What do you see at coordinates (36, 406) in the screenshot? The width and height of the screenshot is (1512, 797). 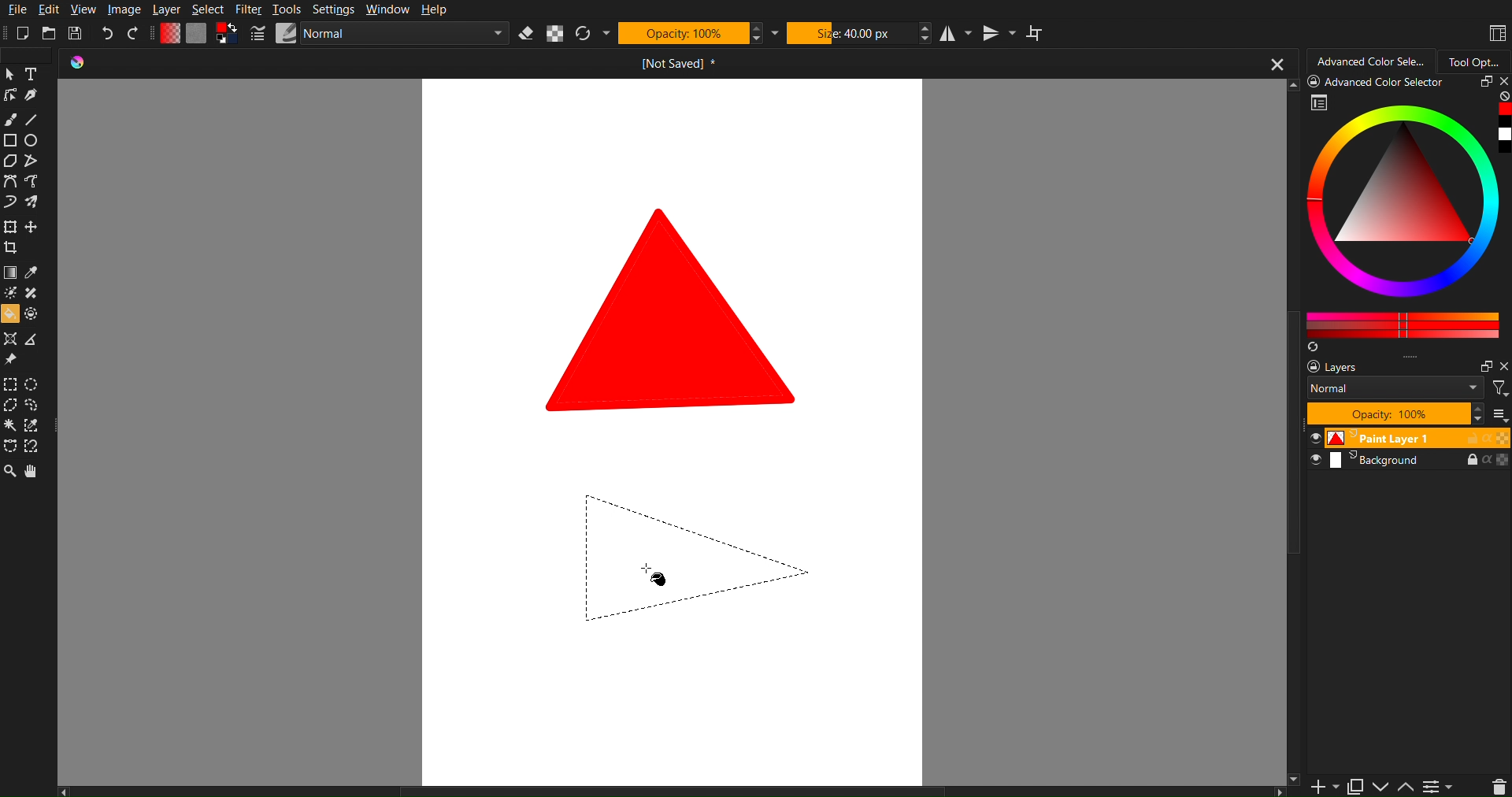 I see `Selection freeshape` at bounding box center [36, 406].